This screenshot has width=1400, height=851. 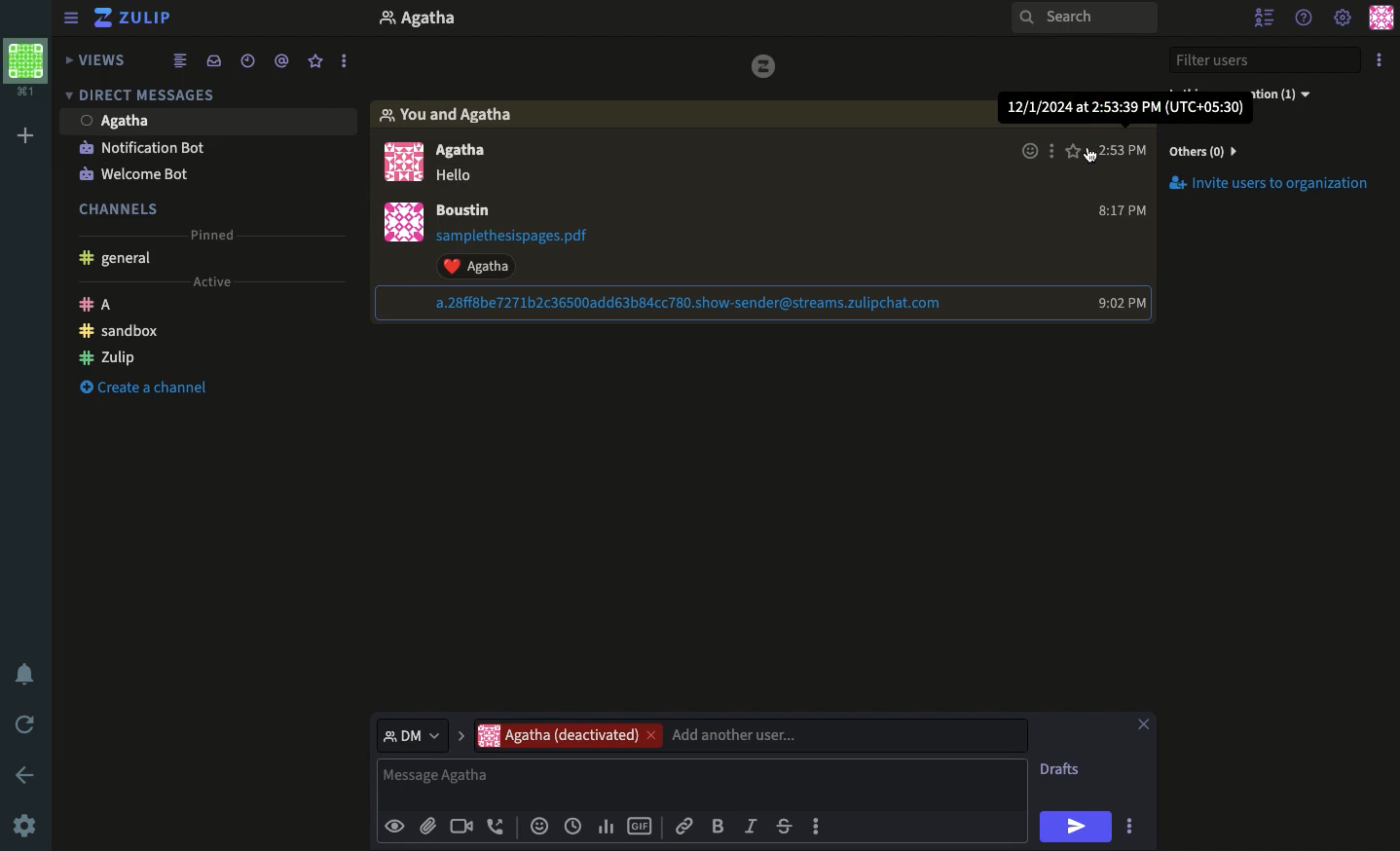 What do you see at coordinates (215, 59) in the screenshot?
I see `Inbox` at bounding box center [215, 59].